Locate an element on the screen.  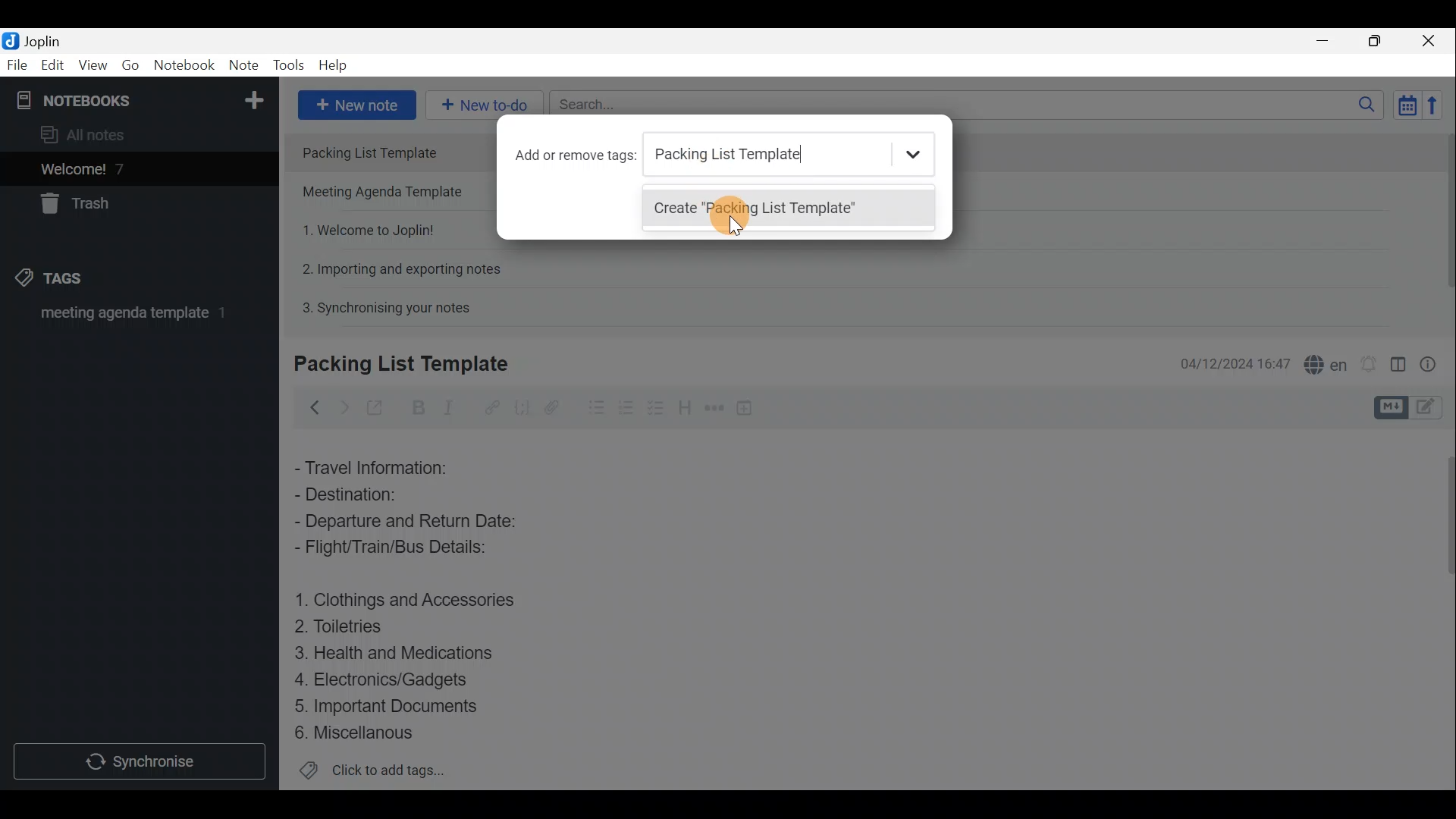
dropdown is located at coordinates (916, 155).